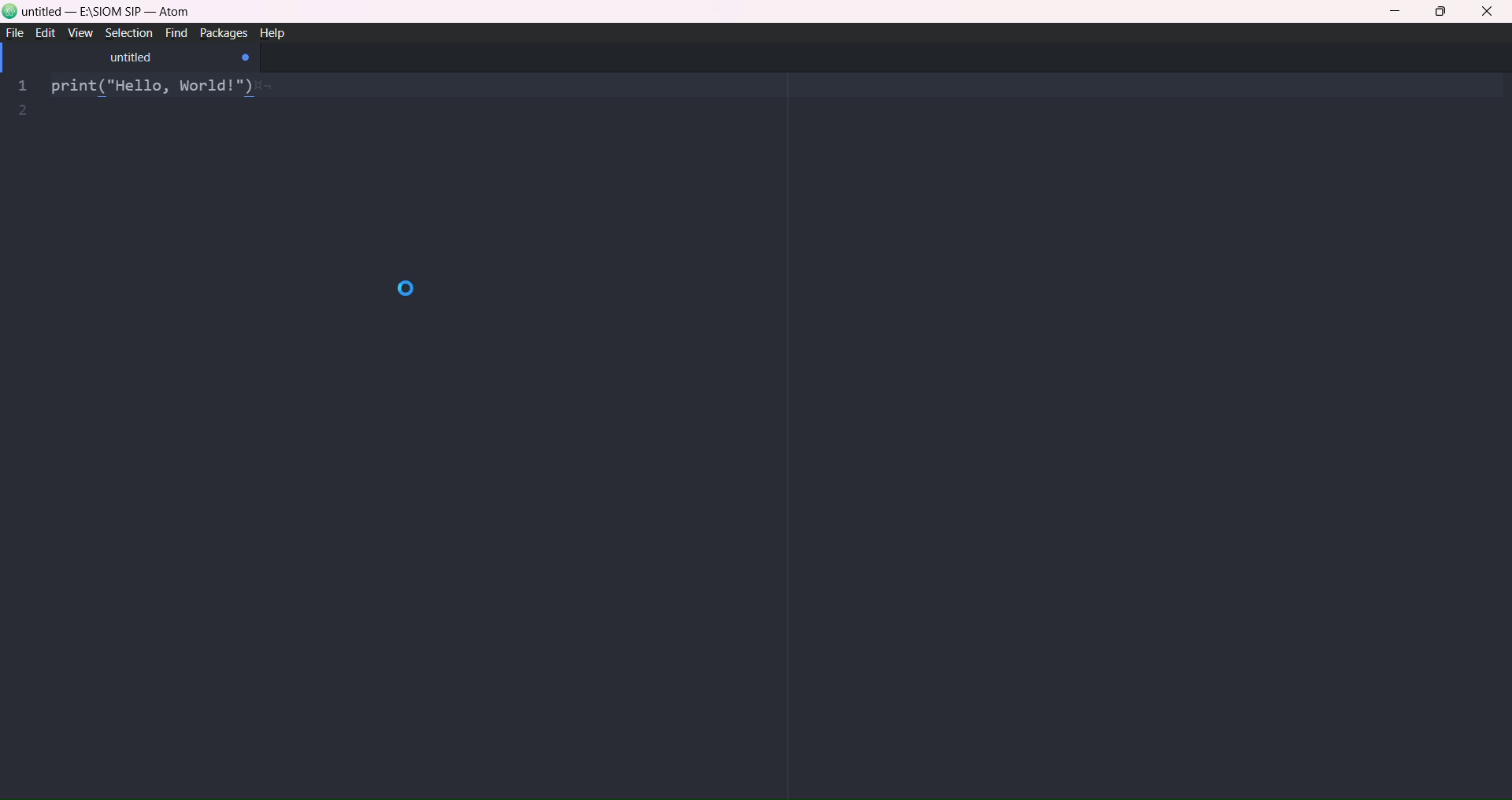 The width and height of the screenshot is (1512, 800). I want to click on help, so click(271, 31).